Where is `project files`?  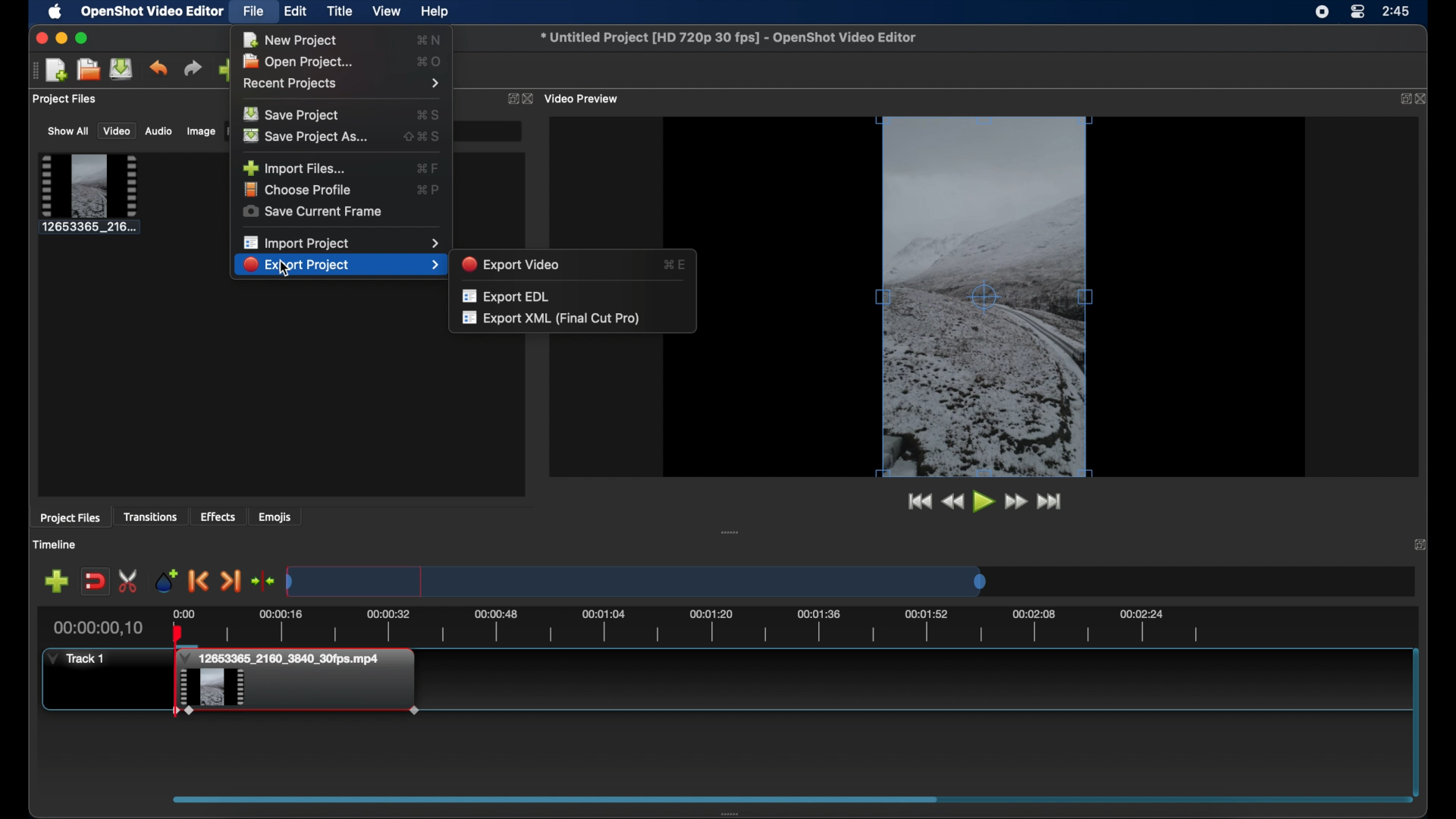 project files is located at coordinates (71, 519).